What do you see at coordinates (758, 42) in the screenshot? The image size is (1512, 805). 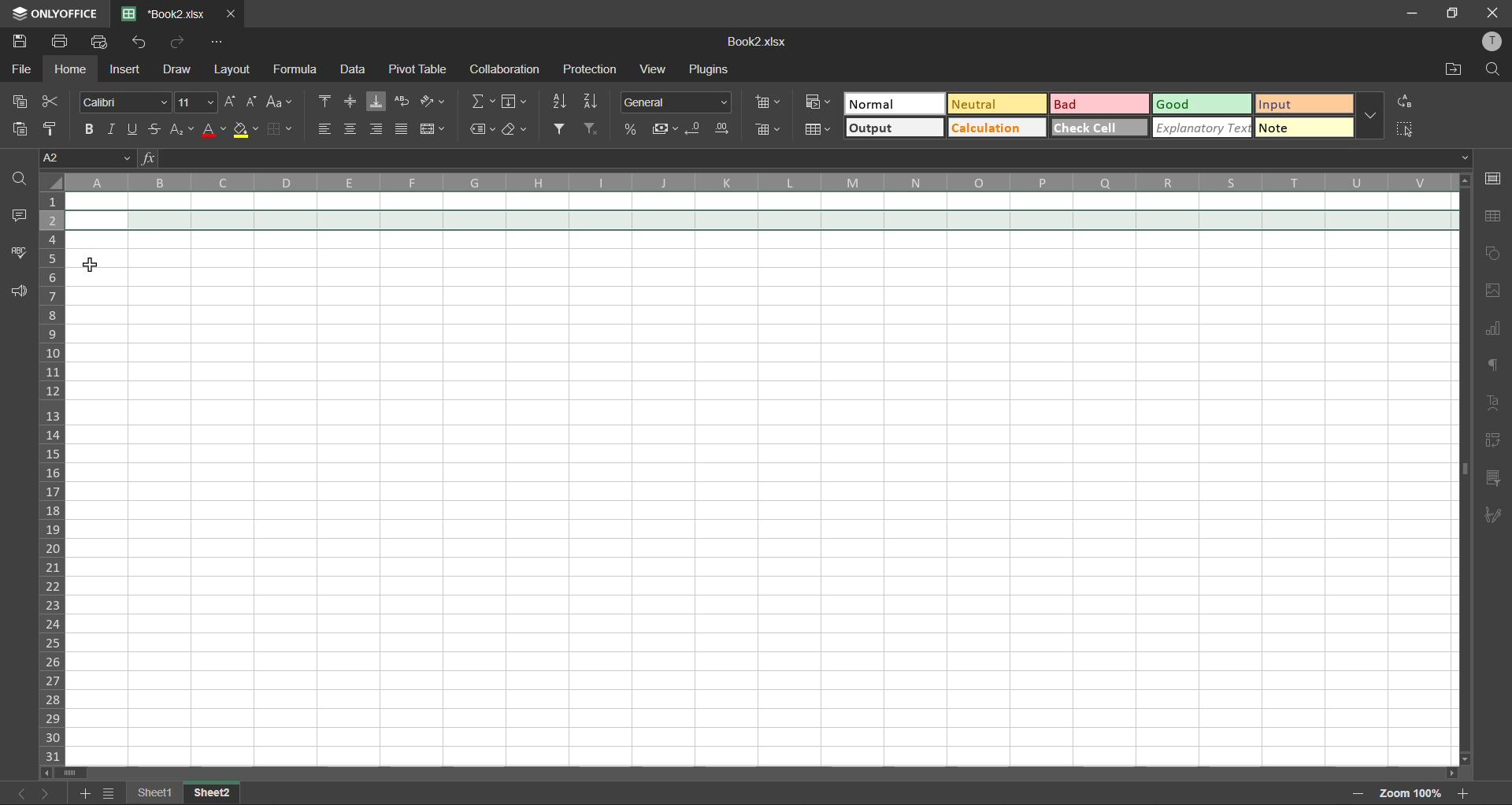 I see `Book2.xlsx` at bounding box center [758, 42].